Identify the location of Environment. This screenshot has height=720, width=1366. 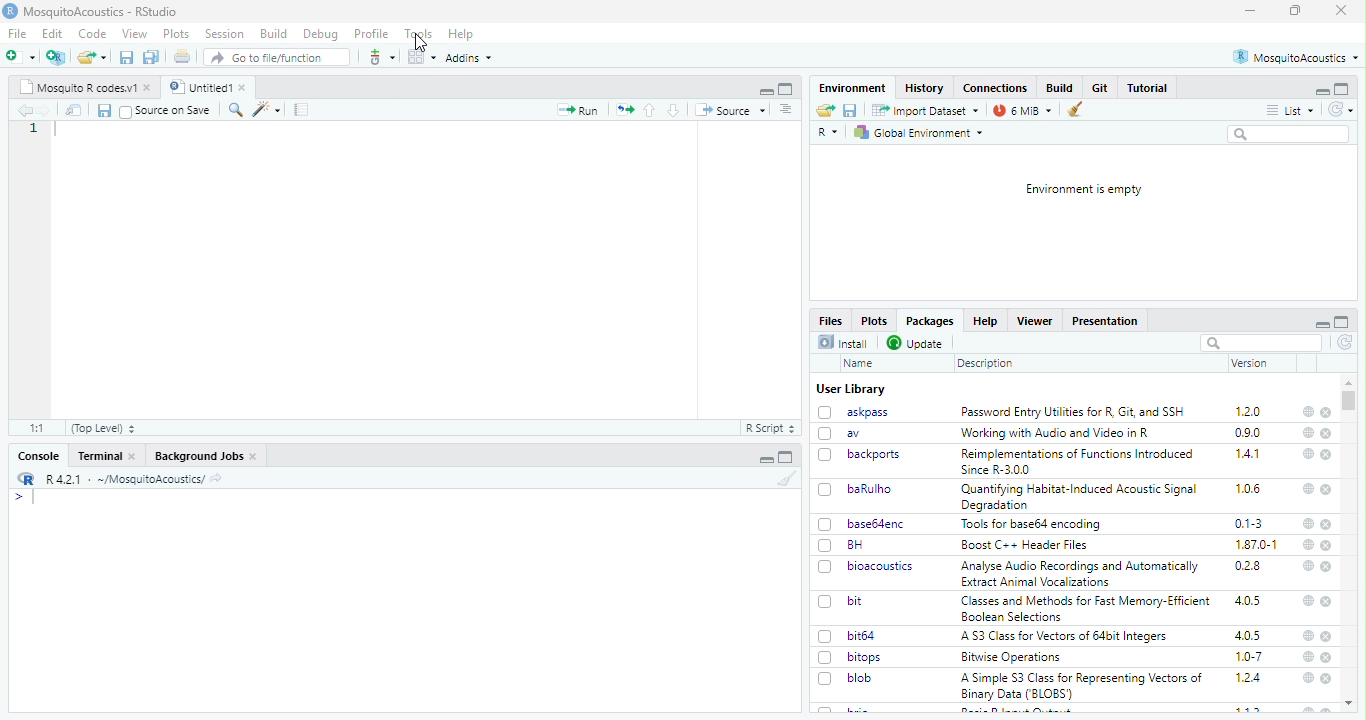
(854, 88).